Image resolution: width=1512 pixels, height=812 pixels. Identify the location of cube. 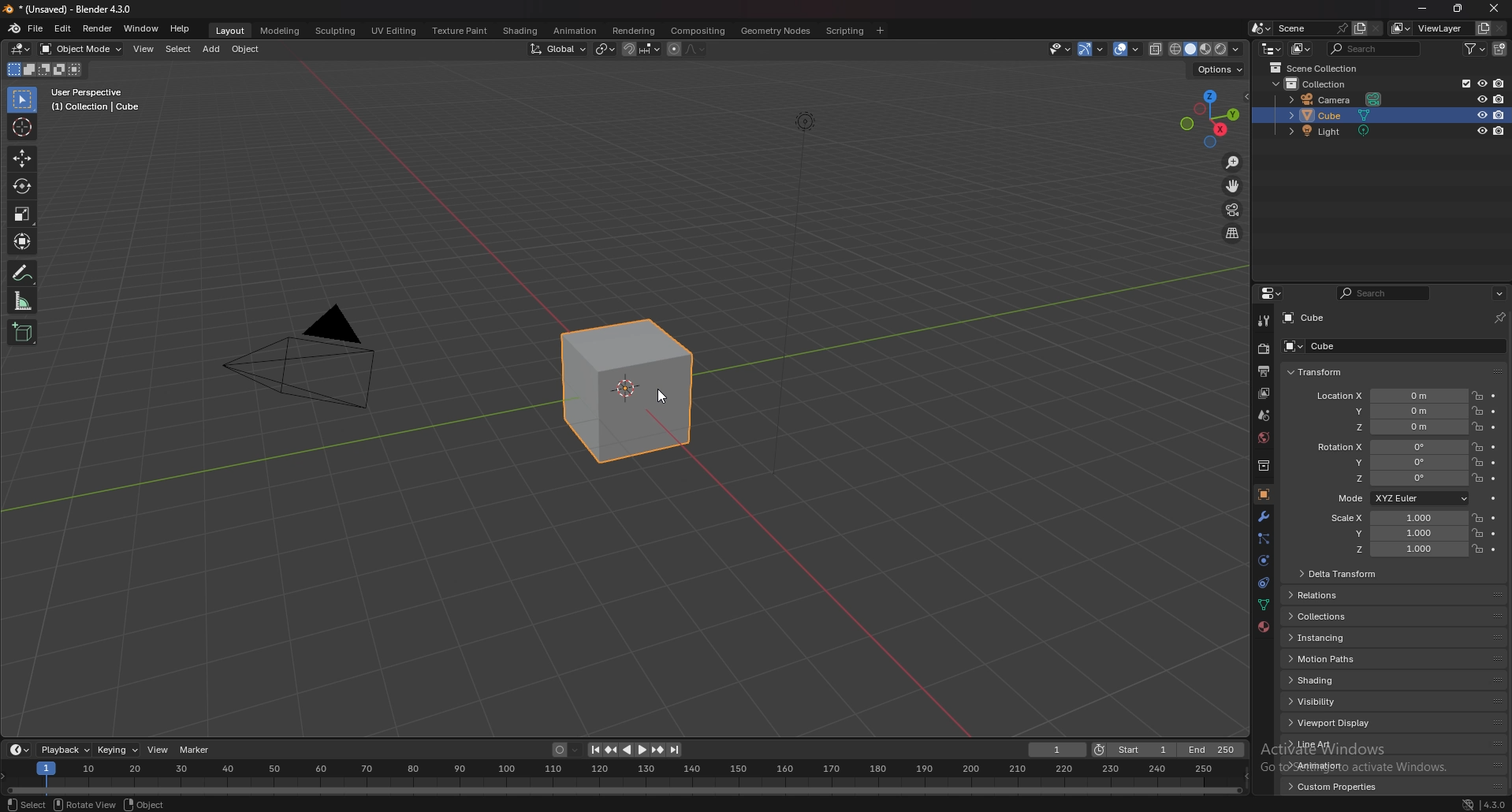
(1388, 346).